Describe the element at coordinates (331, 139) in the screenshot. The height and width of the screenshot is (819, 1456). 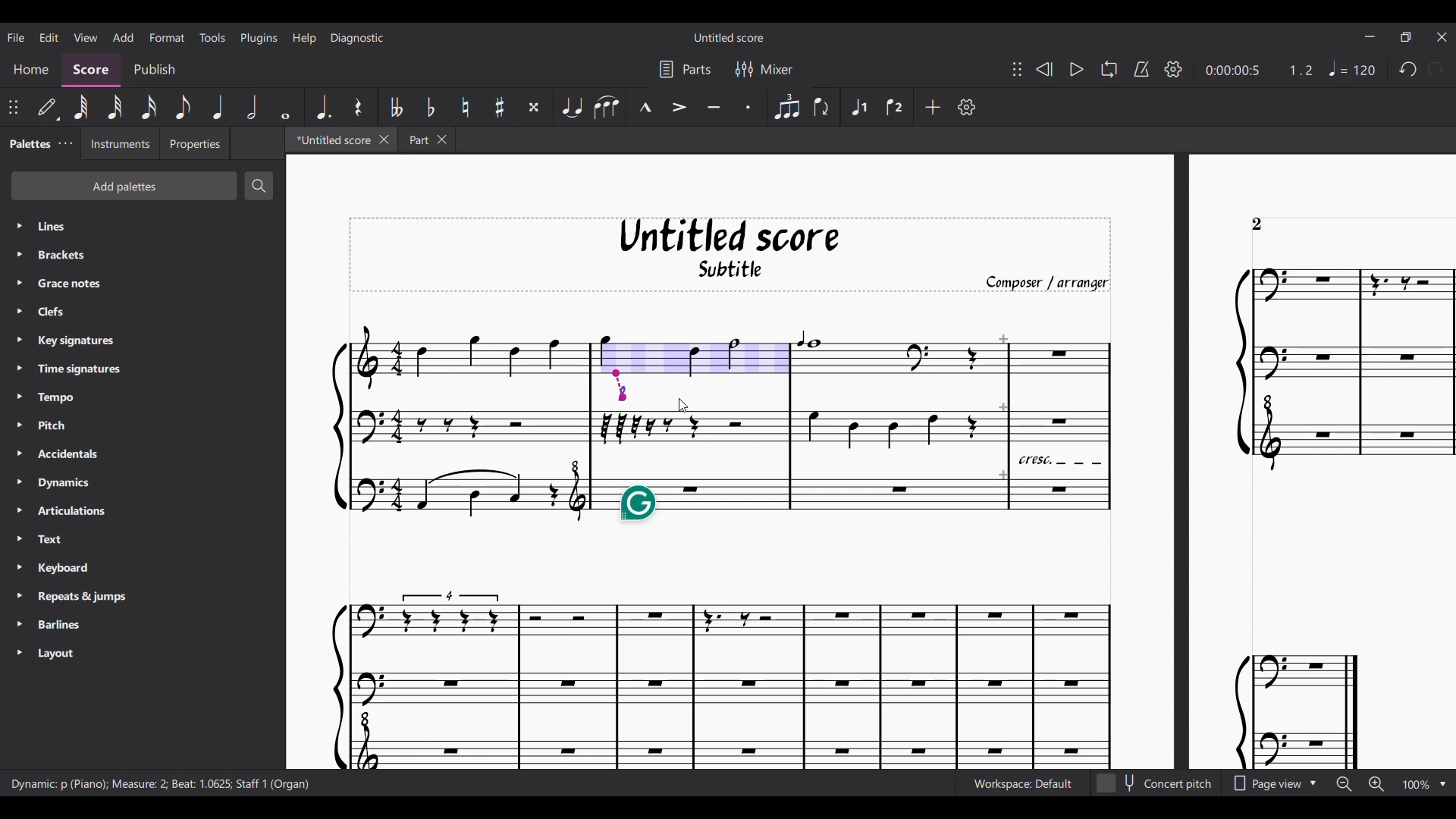
I see `Current tab` at that location.